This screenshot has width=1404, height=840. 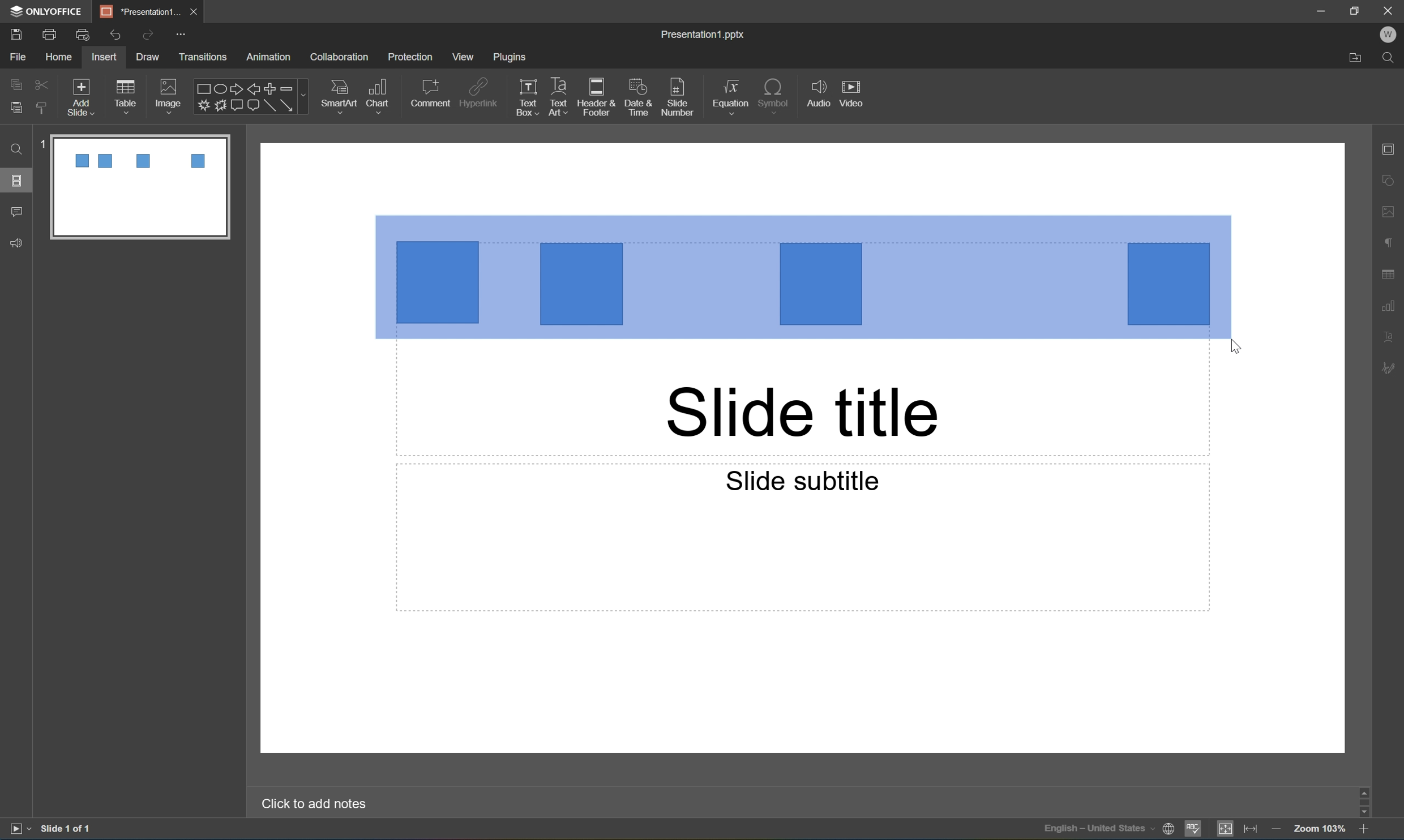 What do you see at coordinates (729, 95) in the screenshot?
I see `equation` at bounding box center [729, 95].